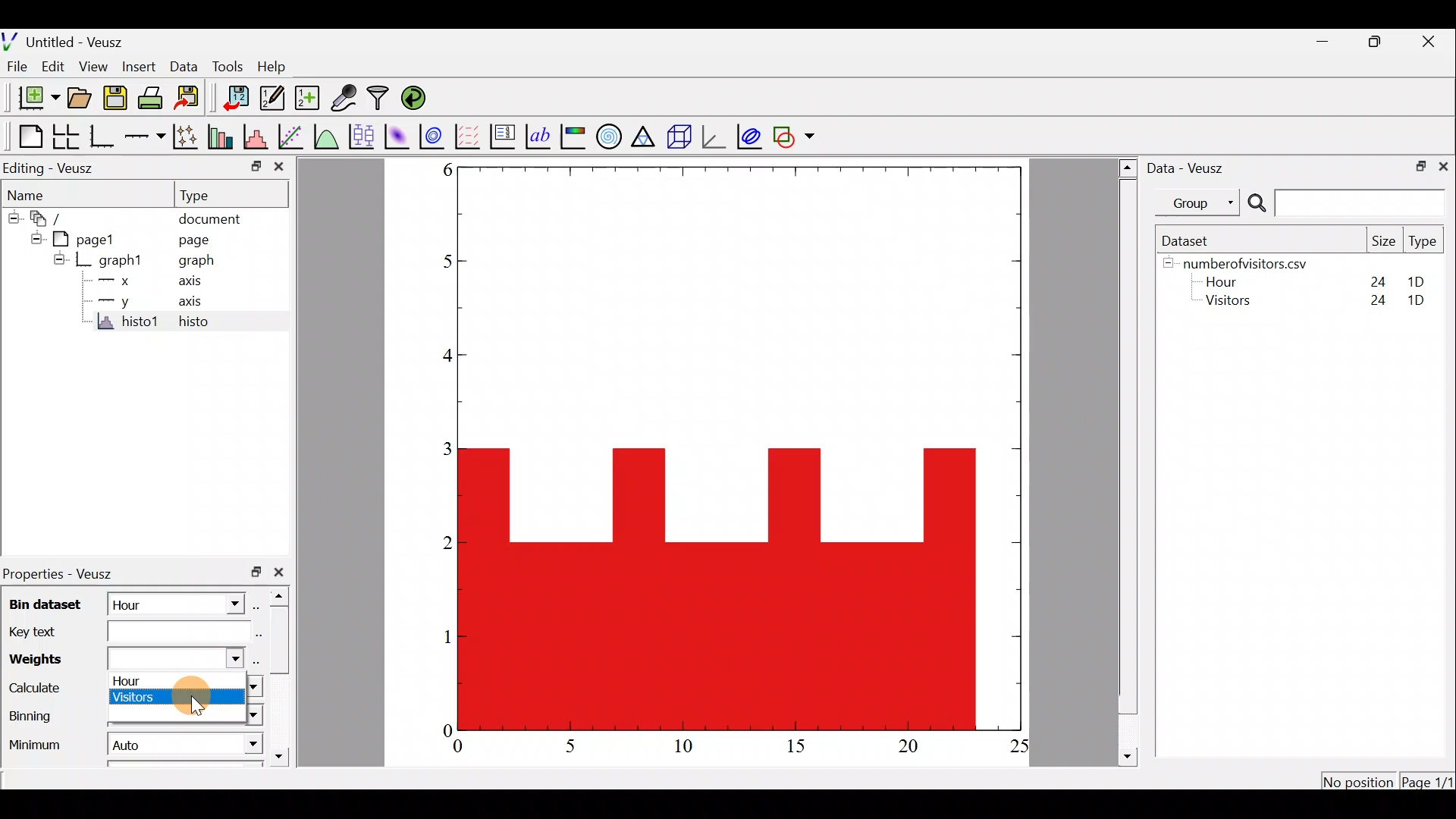 The width and height of the screenshot is (1456, 819). I want to click on restore down, so click(1419, 167).